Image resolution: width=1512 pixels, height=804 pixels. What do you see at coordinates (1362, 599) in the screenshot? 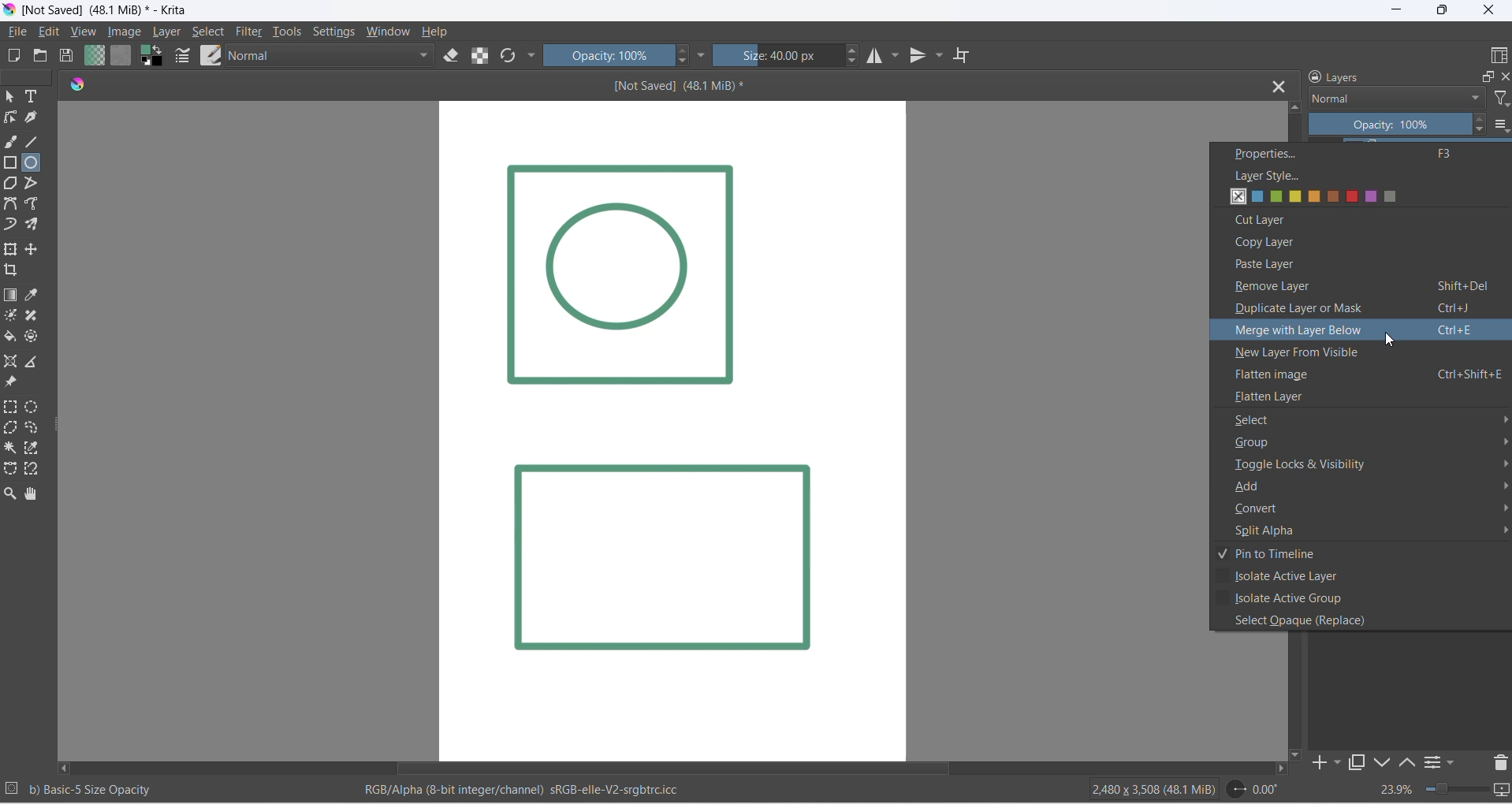
I see `active group` at bounding box center [1362, 599].